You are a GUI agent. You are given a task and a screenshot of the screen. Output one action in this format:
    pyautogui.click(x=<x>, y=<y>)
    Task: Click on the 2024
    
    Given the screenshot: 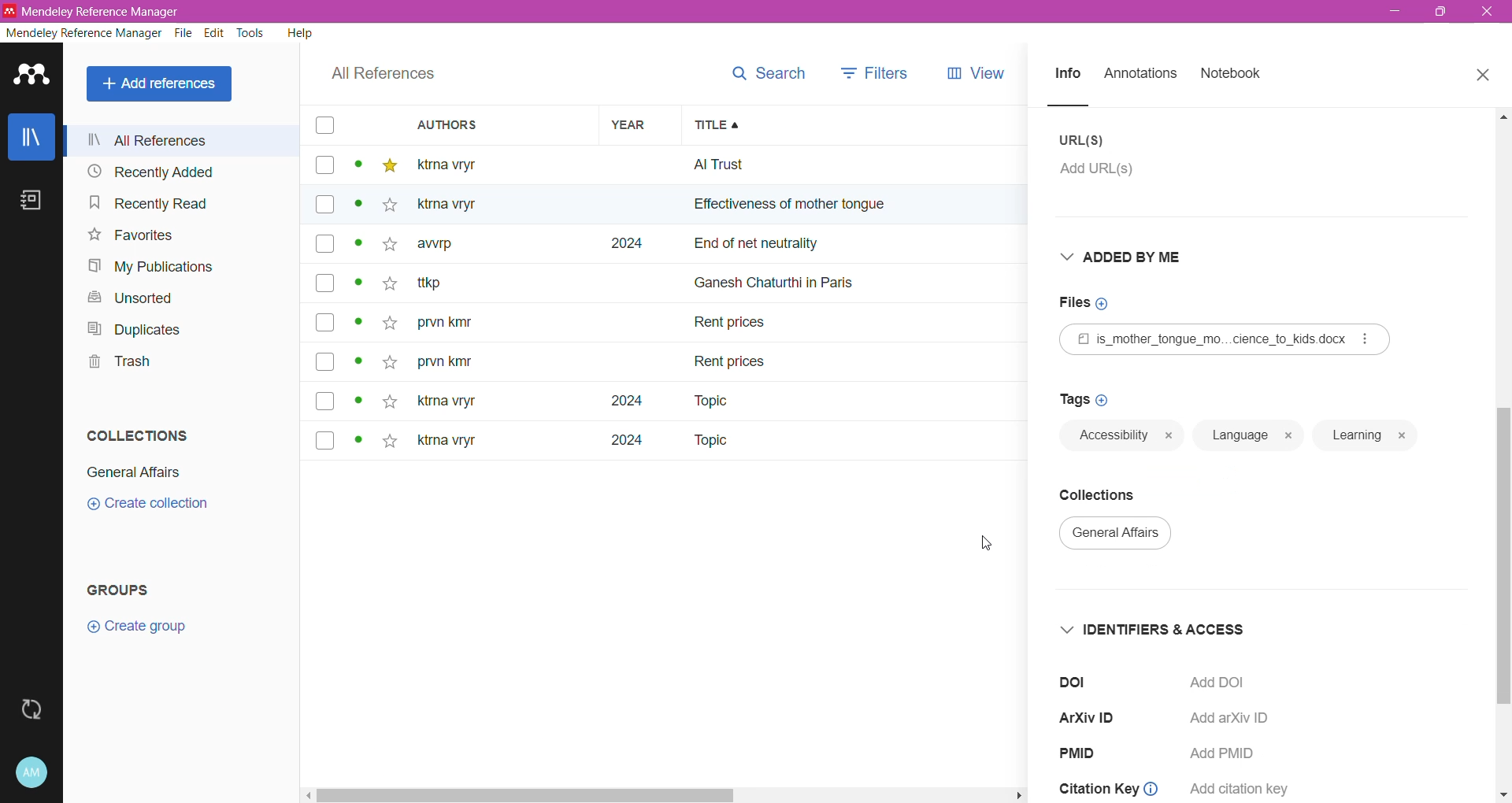 What is the action you would take?
    pyautogui.click(x=617, y=446)
    